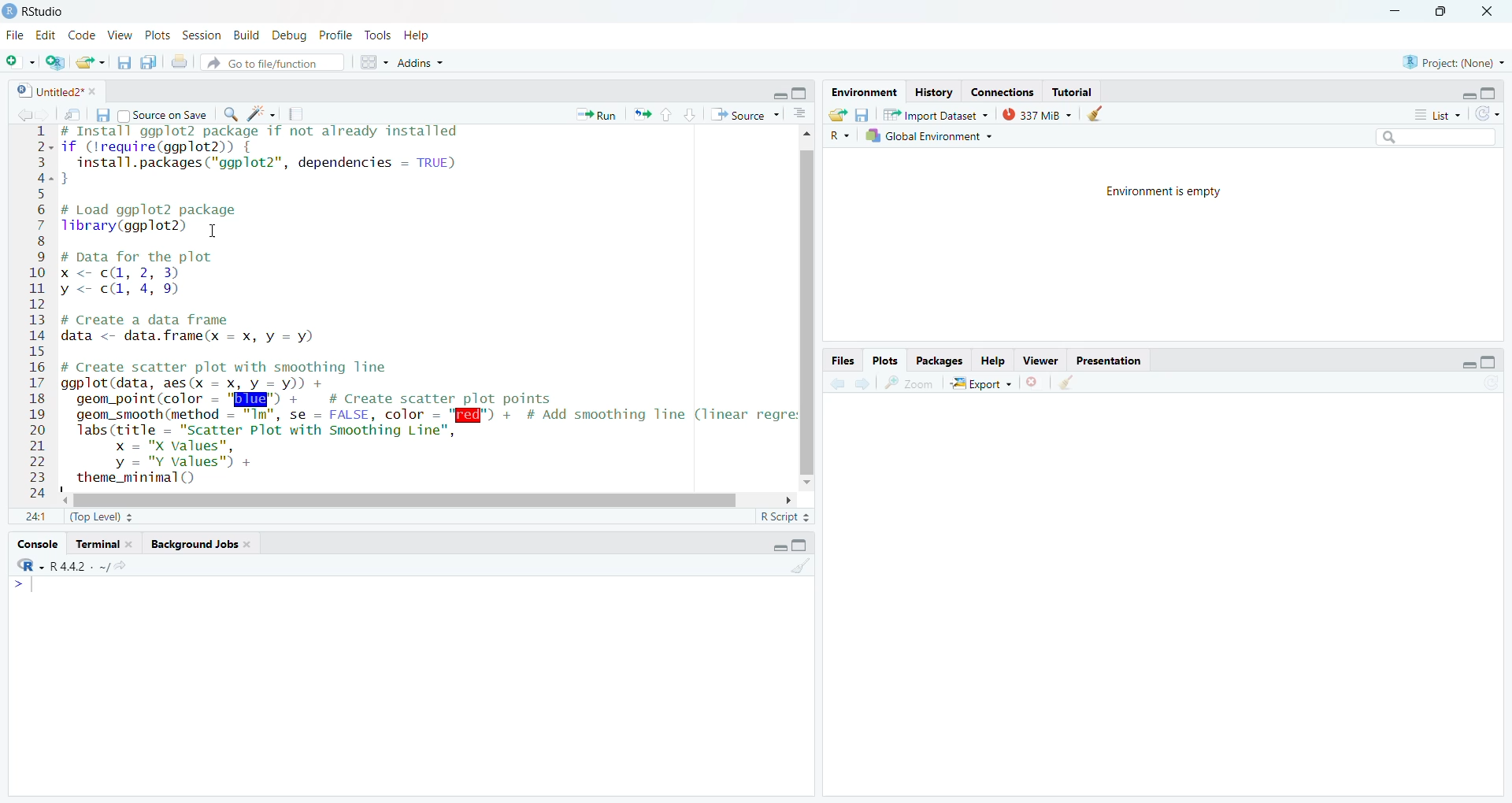 This screenshot has width=1512, height=803. I want to click on Packages, so click(943, 361).